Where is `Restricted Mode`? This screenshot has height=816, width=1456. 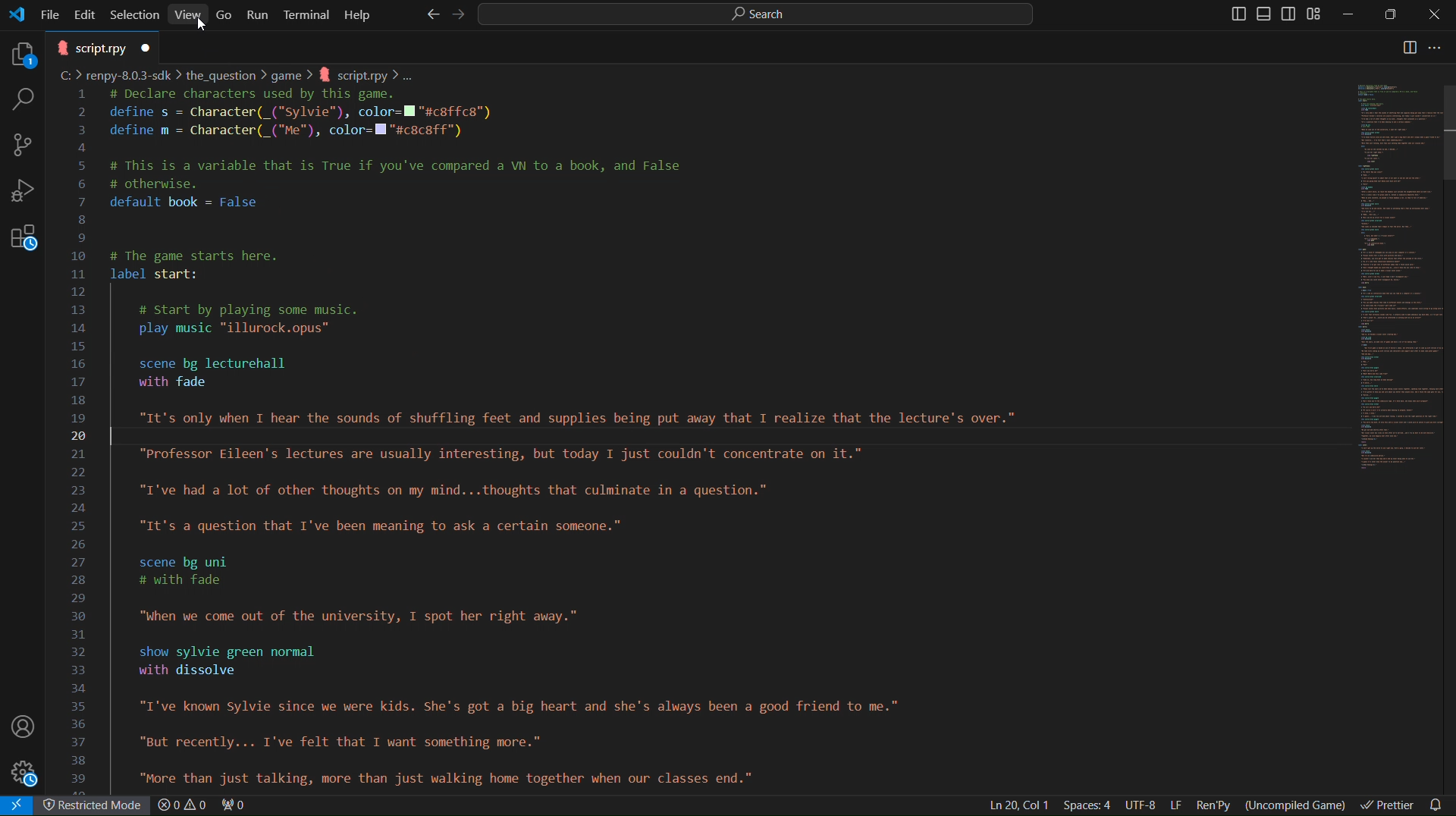
Restricted Mode is located at coordinates (96, 807).